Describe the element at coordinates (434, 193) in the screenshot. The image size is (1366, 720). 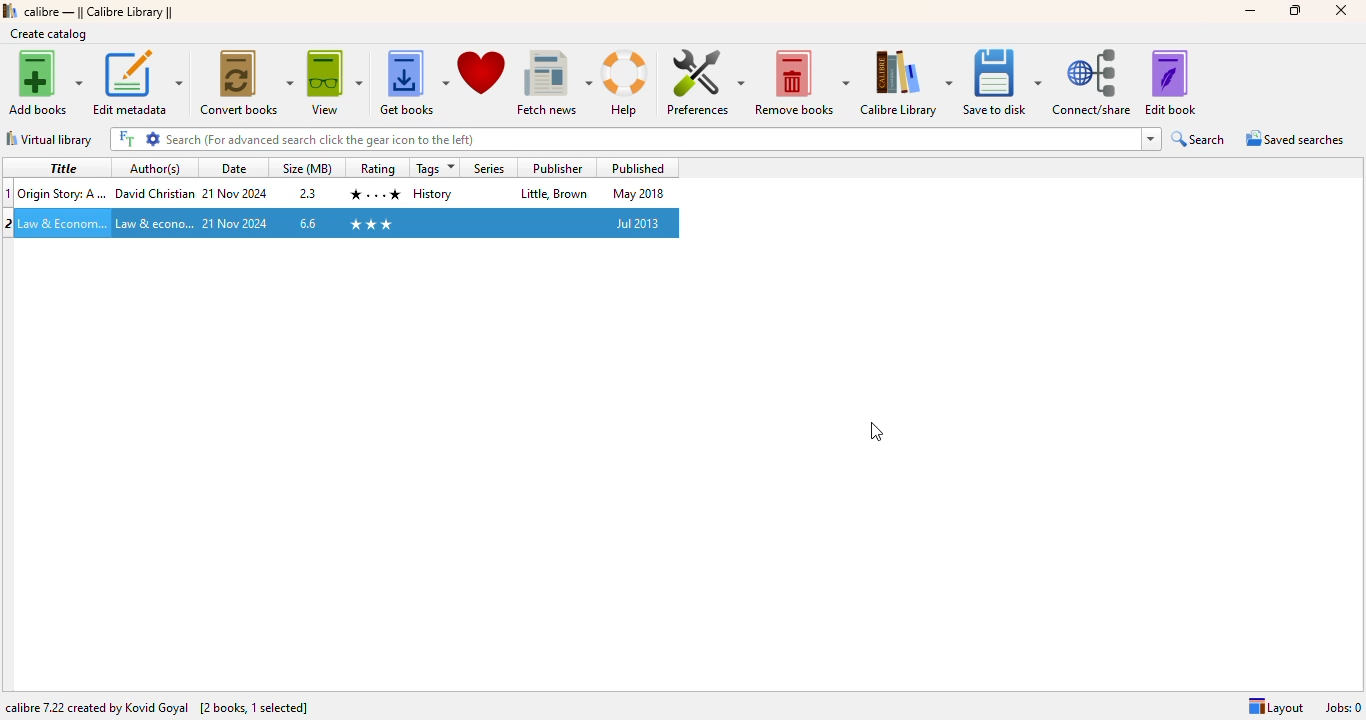
I see `tag` at that location.